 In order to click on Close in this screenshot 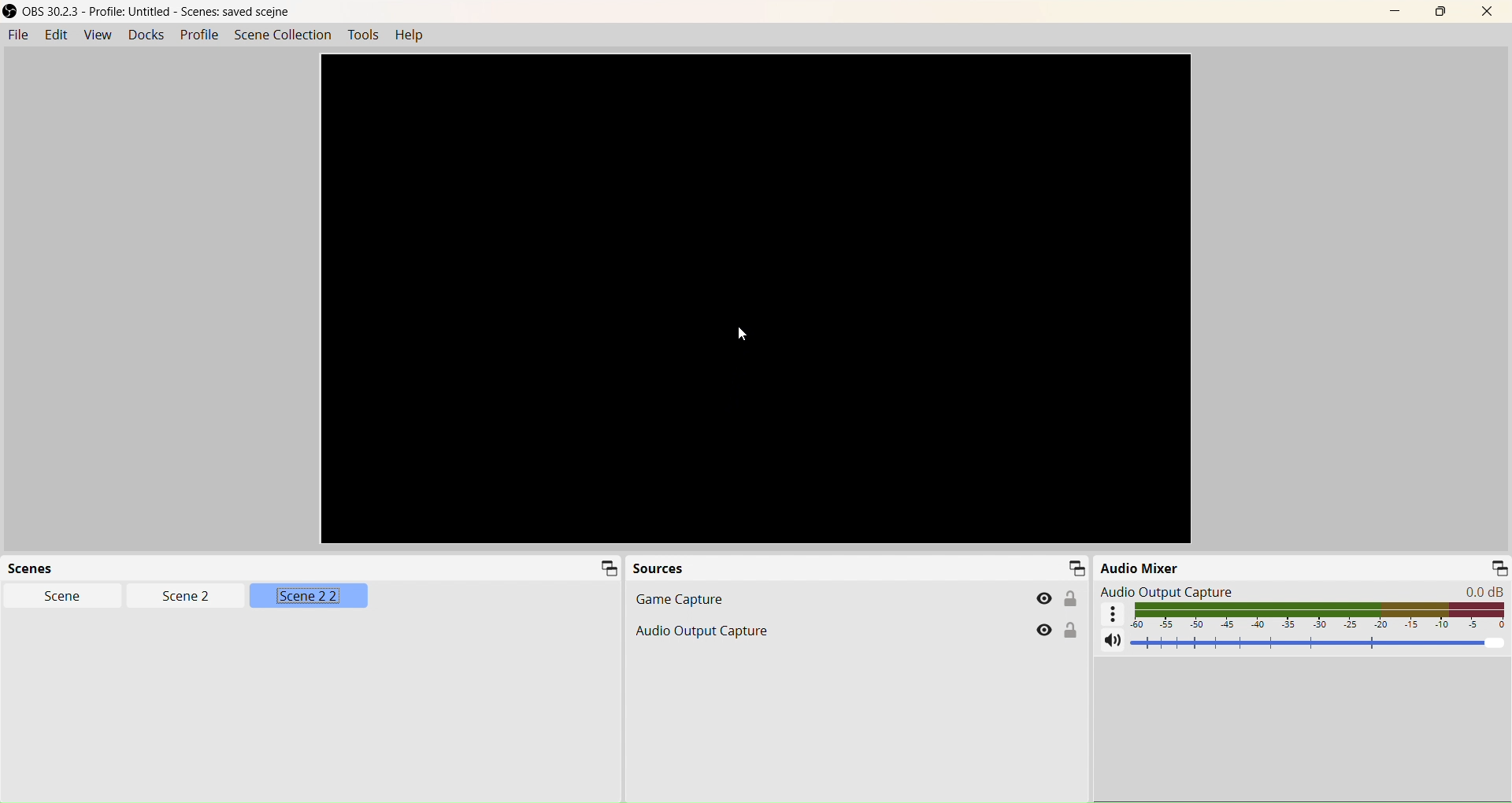, I will do `click(1488, 12)`.